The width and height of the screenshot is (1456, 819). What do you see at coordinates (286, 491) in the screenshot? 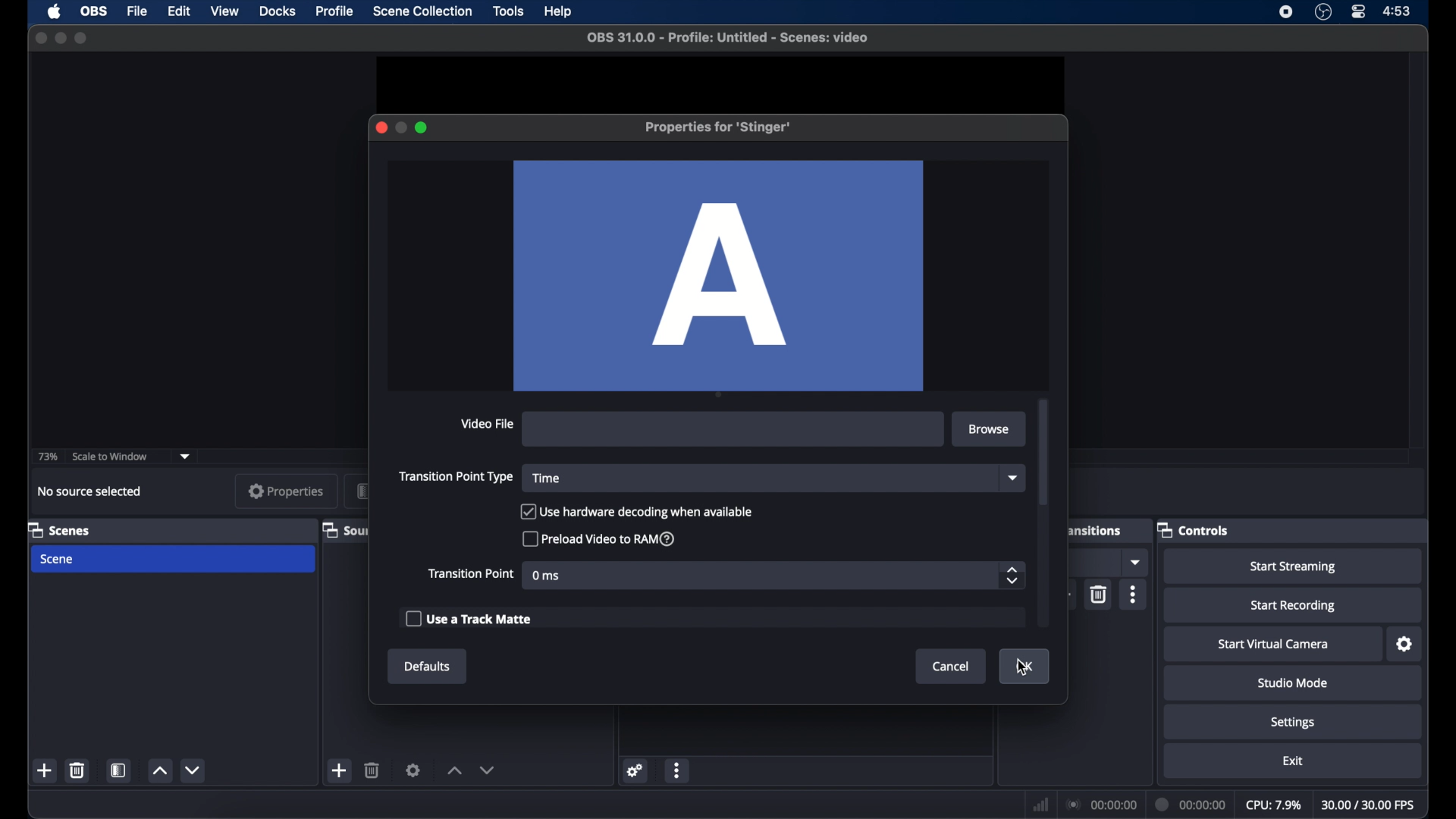
I see `properties` at bounding box center [286, 491].